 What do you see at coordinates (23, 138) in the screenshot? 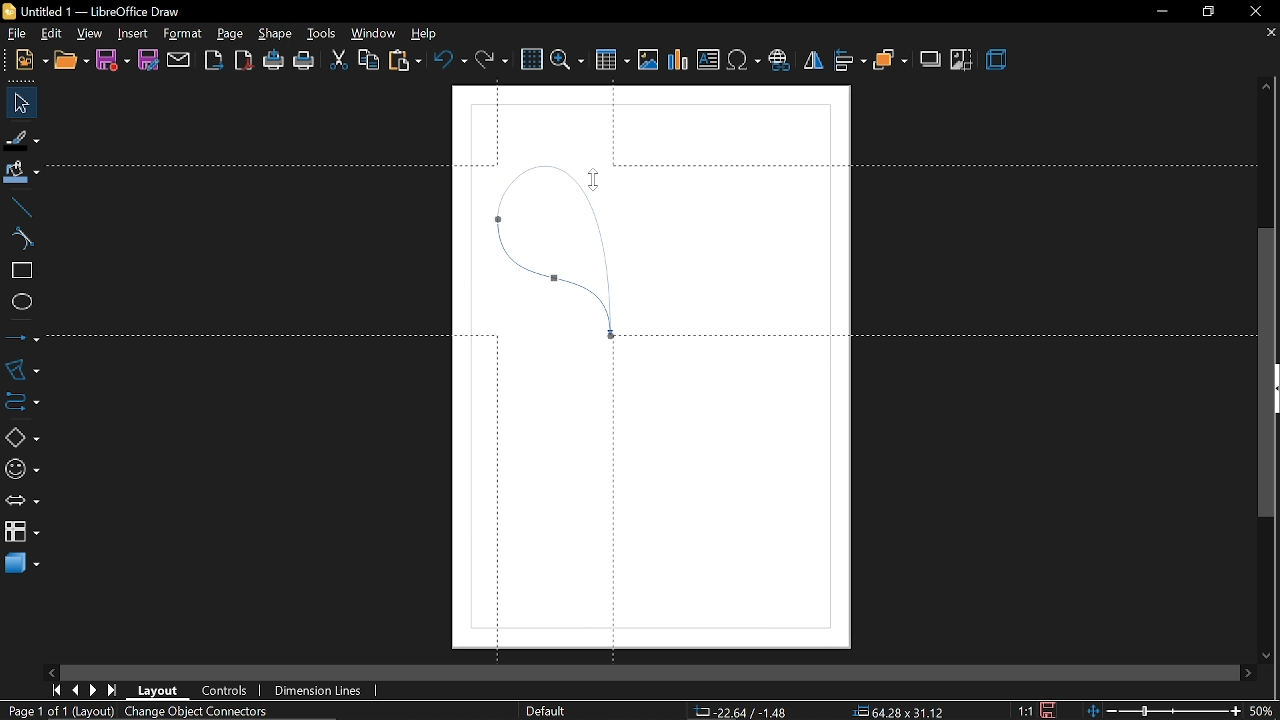
I see `fill line` at bounding box center [23, 138].